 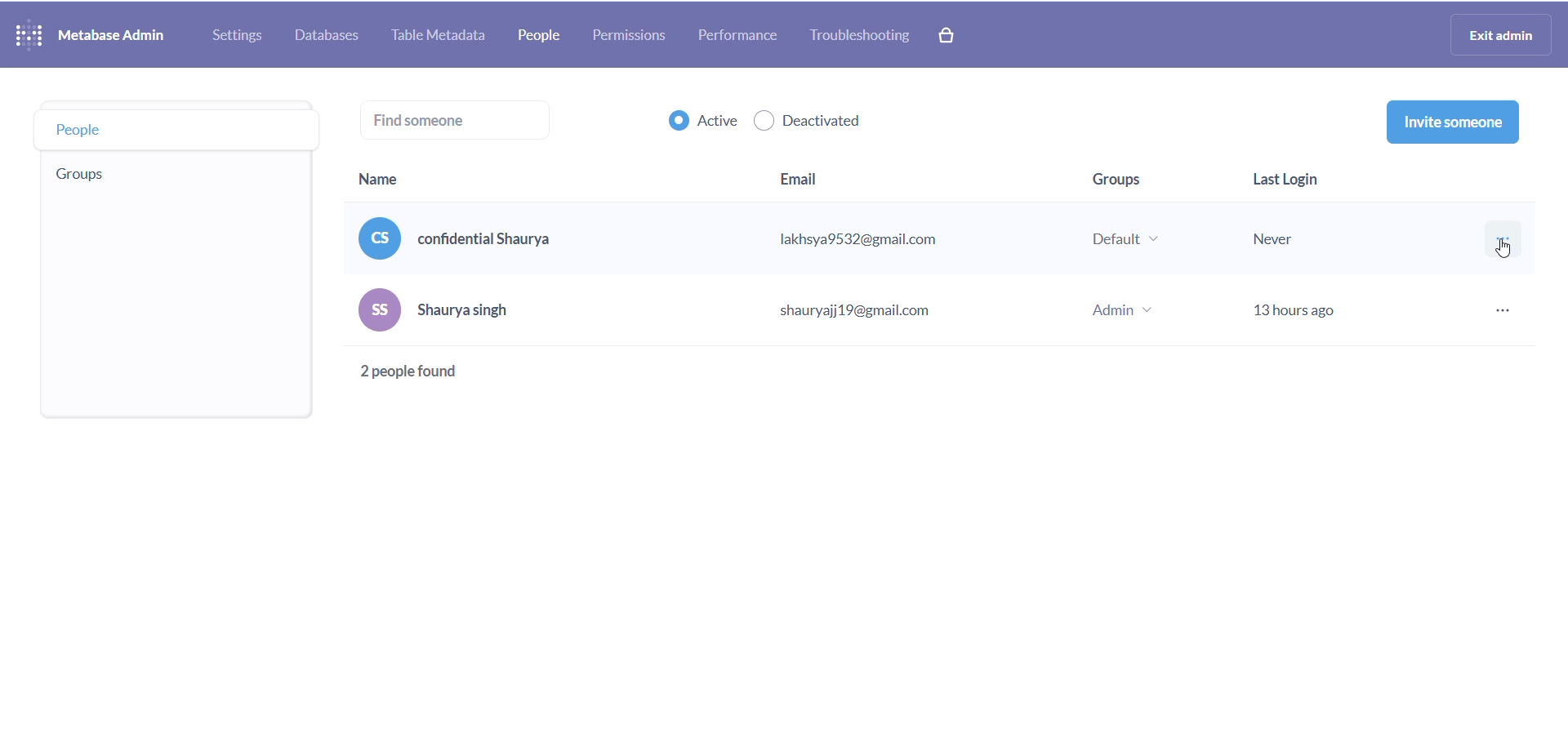 What do you see at coordinates (864, 35) in the screenshot?
I see `troubleshooting` at bounding box center [864, 35].